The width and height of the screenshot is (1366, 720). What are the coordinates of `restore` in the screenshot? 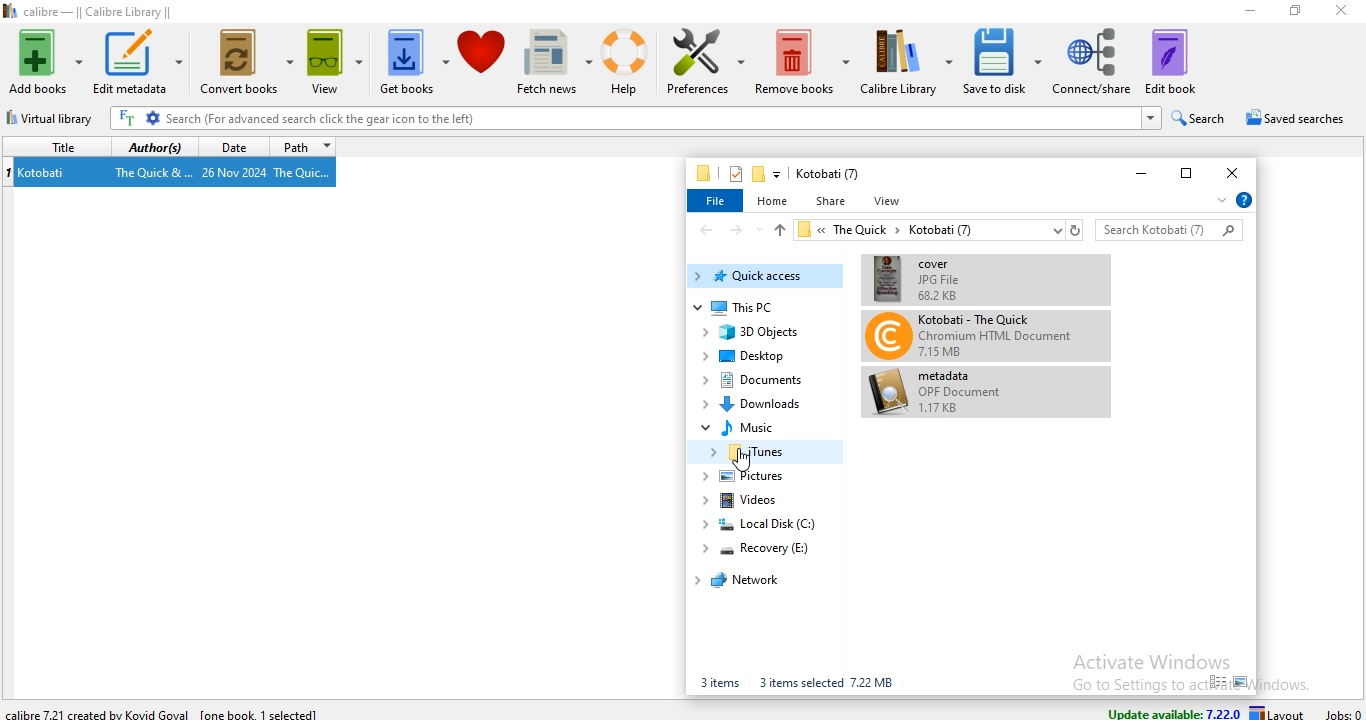 It's located at (1183, 171).